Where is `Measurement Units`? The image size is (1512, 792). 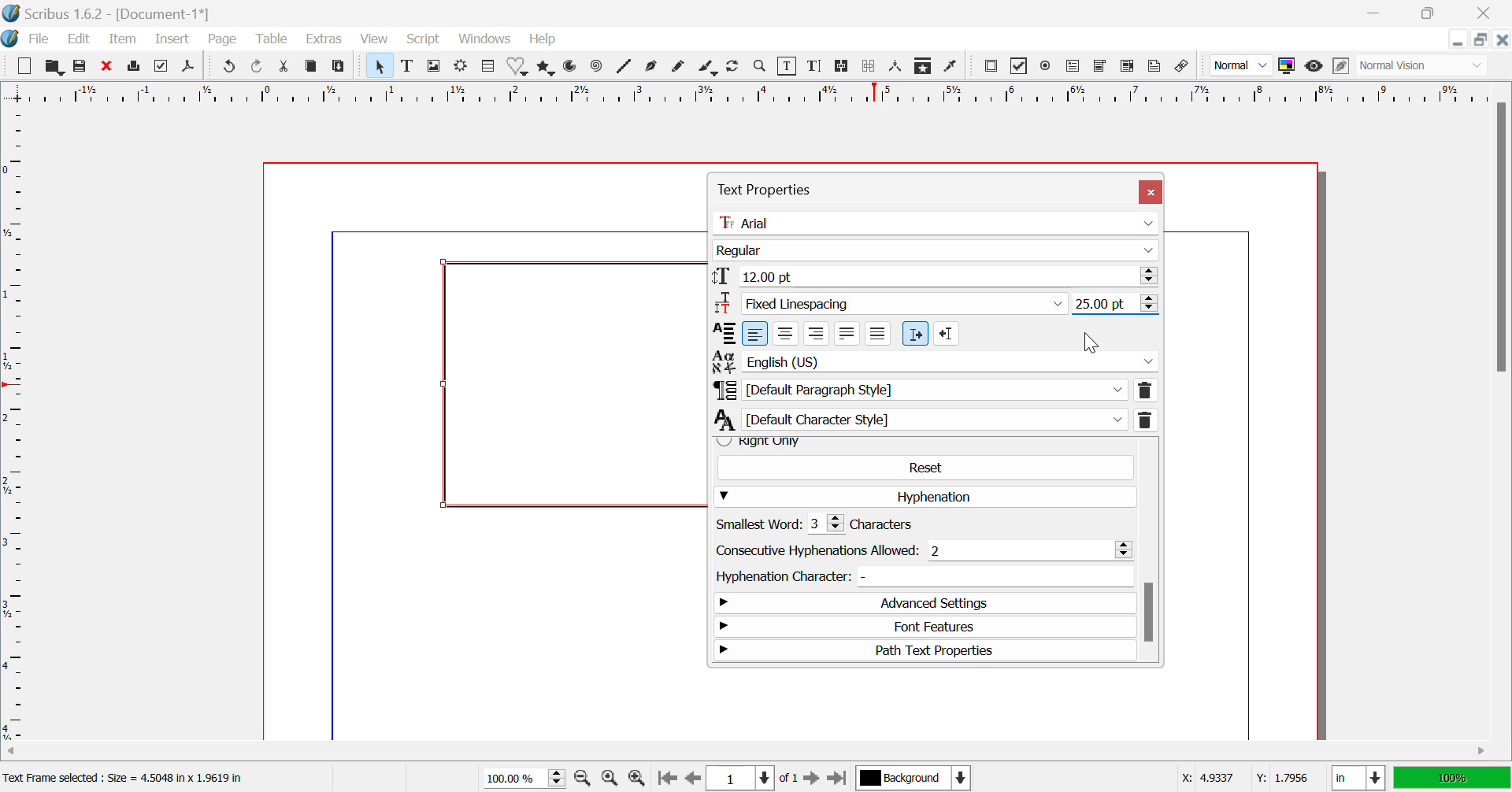
Measurement Units is located at coordinates (1354, 778).